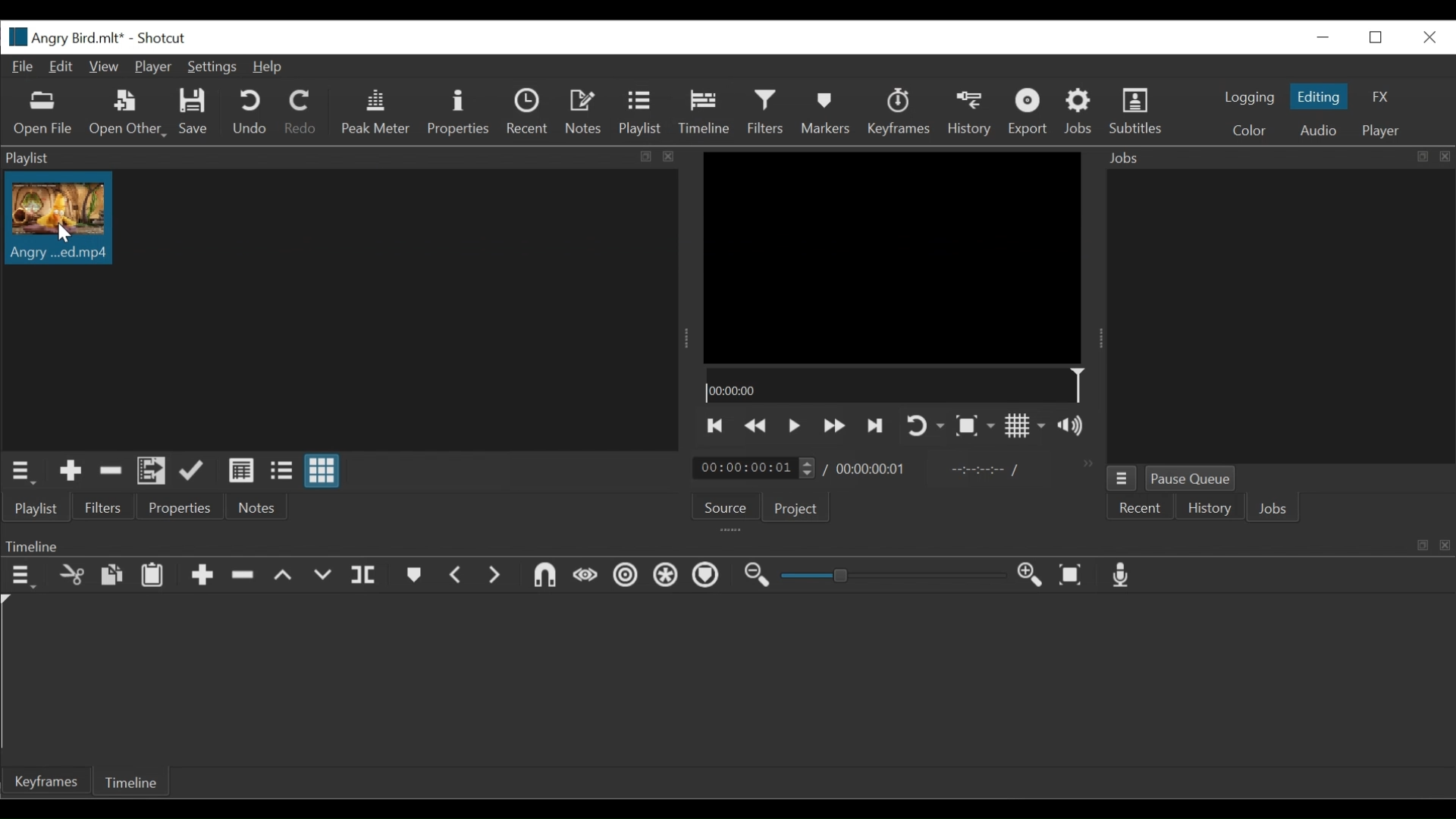  What do you see at coordinates (212, 67) in the screenshot?
I see `Settings` at bounding box center [212, 67].